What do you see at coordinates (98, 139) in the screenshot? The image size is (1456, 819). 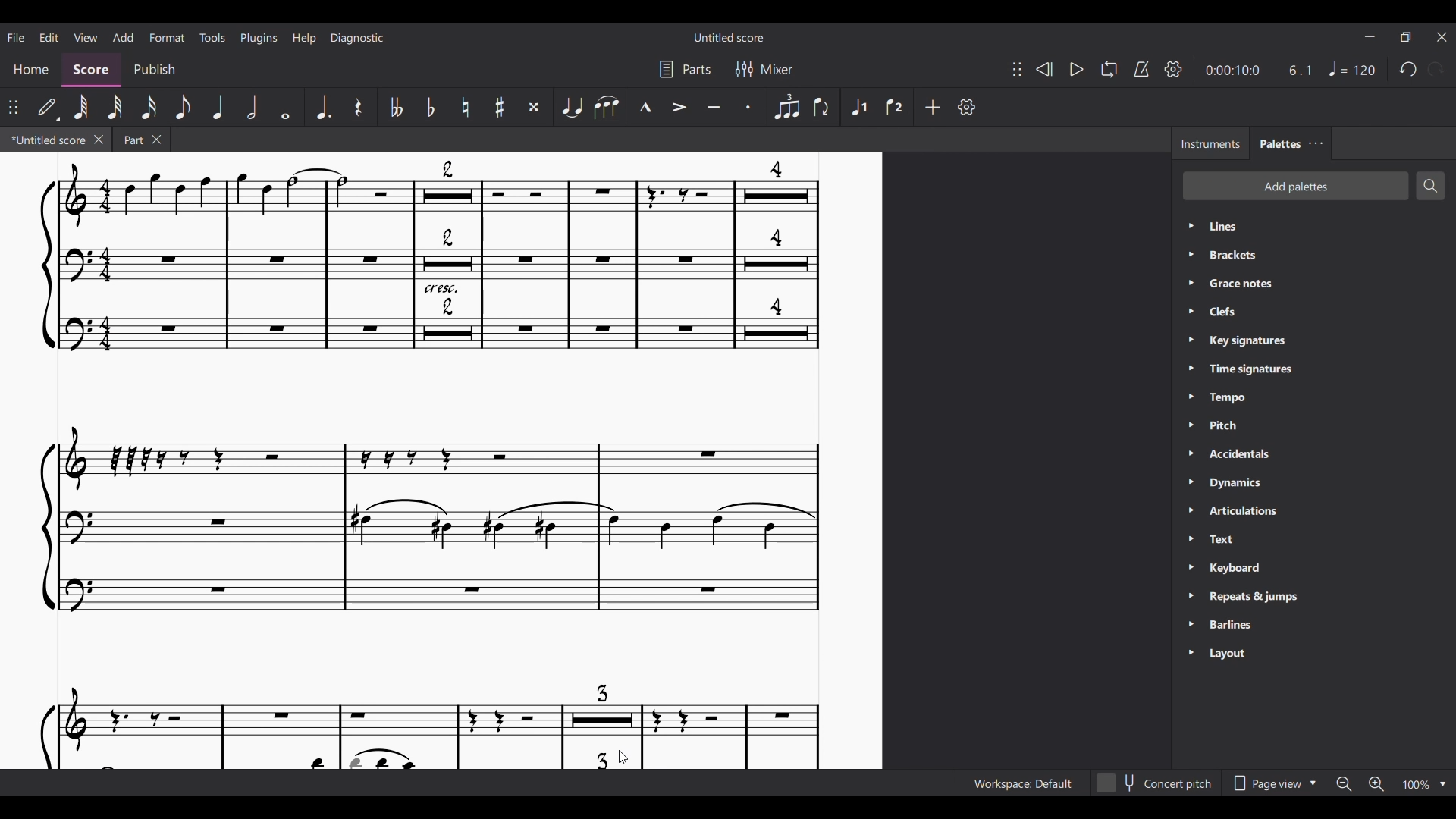 I see `Close current tab` at bounding box center [98, 139].